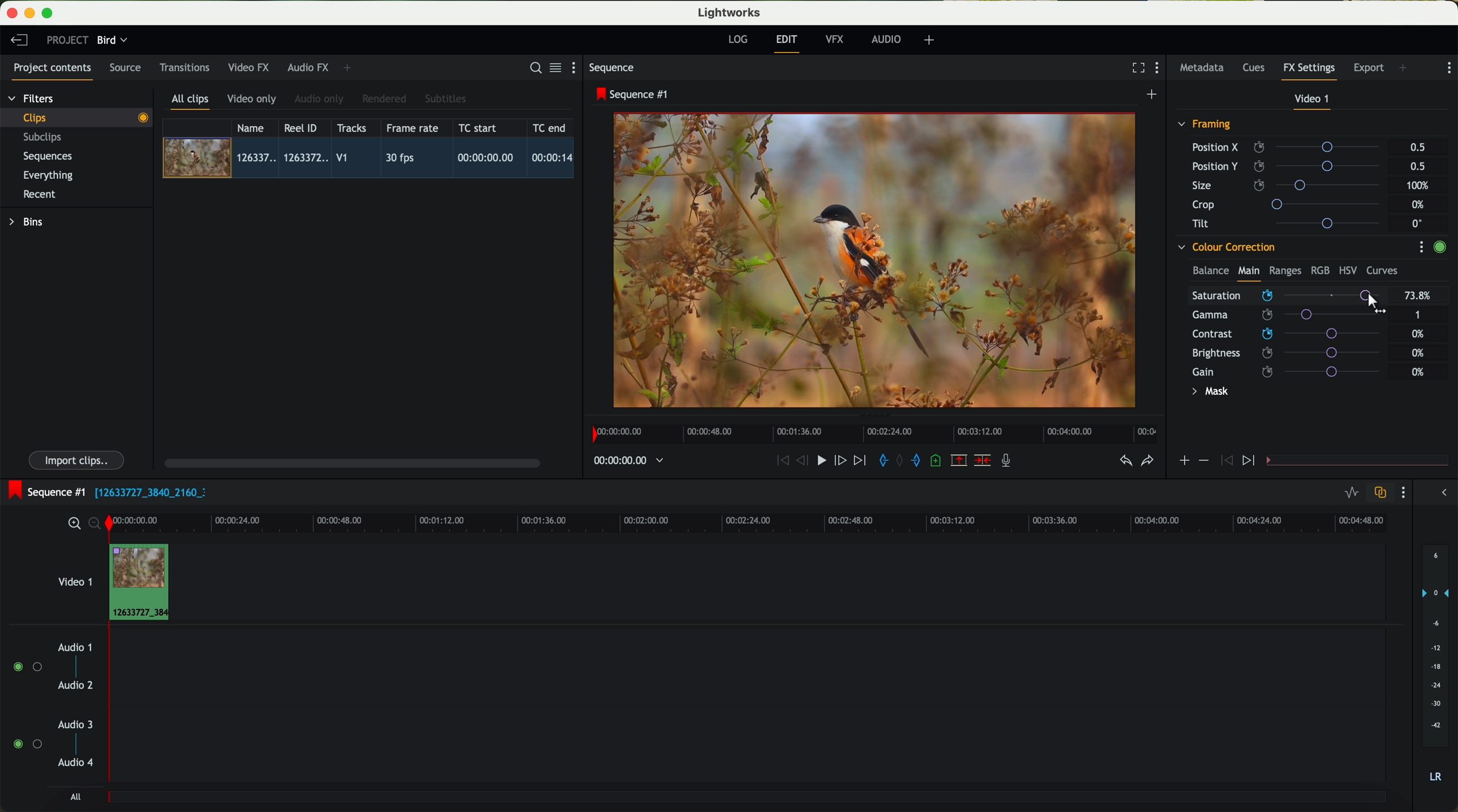 The height and width of the screenshot is (812, 1458). I want to click on all clips, so click(191, 102).